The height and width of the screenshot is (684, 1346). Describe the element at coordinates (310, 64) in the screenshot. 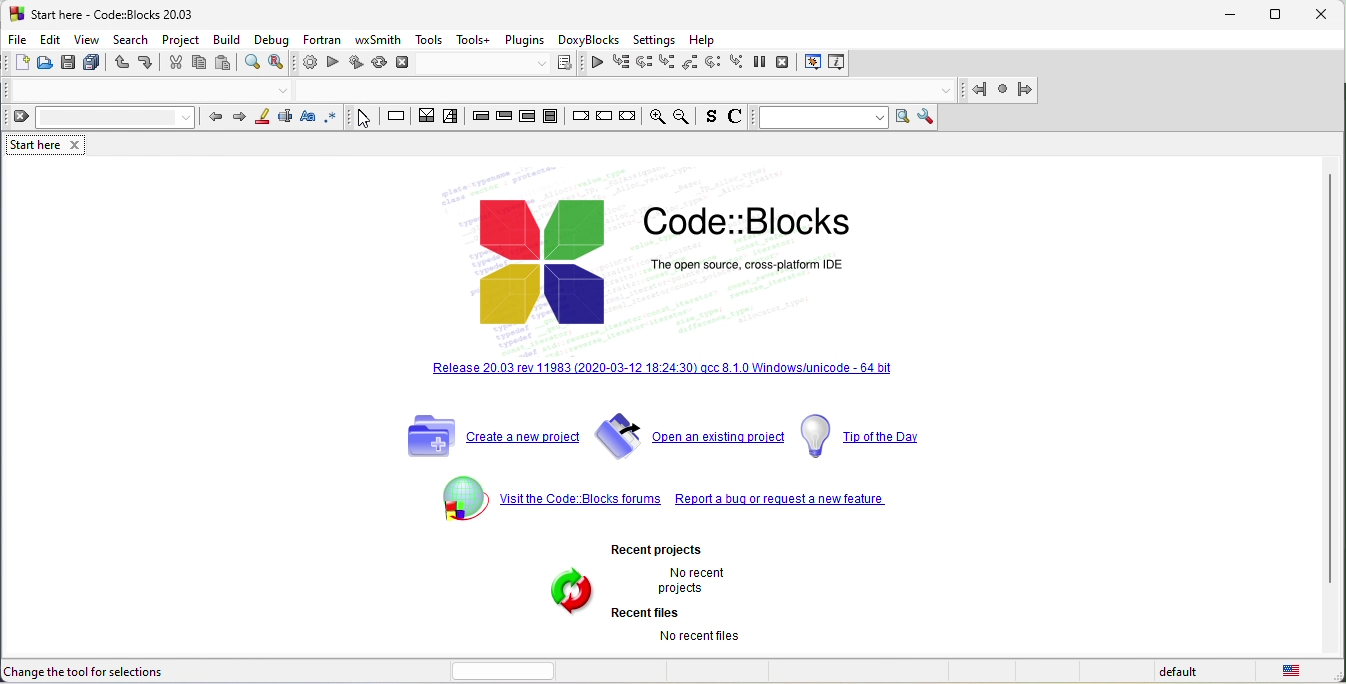

I see `build` at that location.